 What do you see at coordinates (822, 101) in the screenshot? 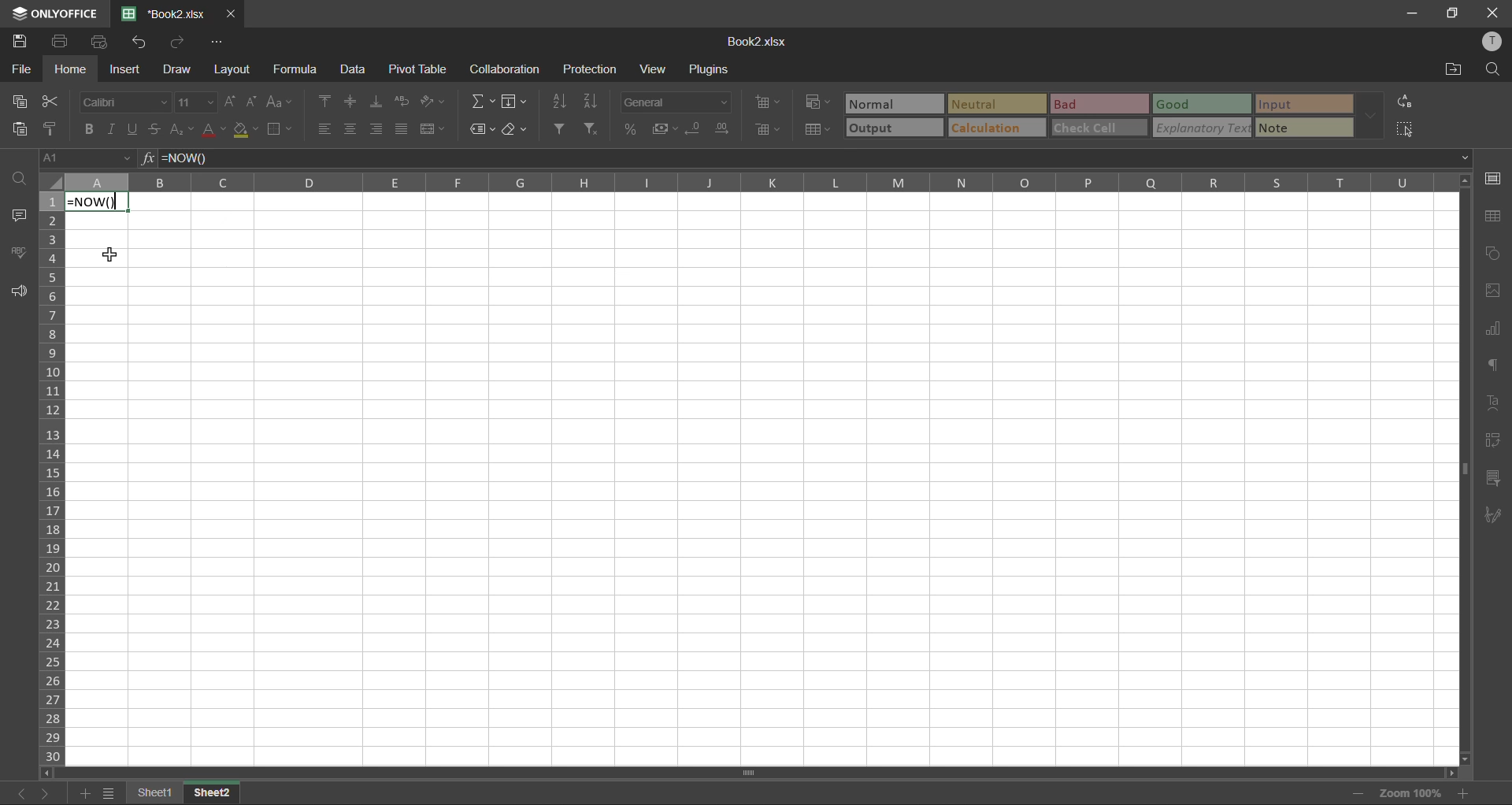
I see `conditional formatting` at bounding box center [822, 101].